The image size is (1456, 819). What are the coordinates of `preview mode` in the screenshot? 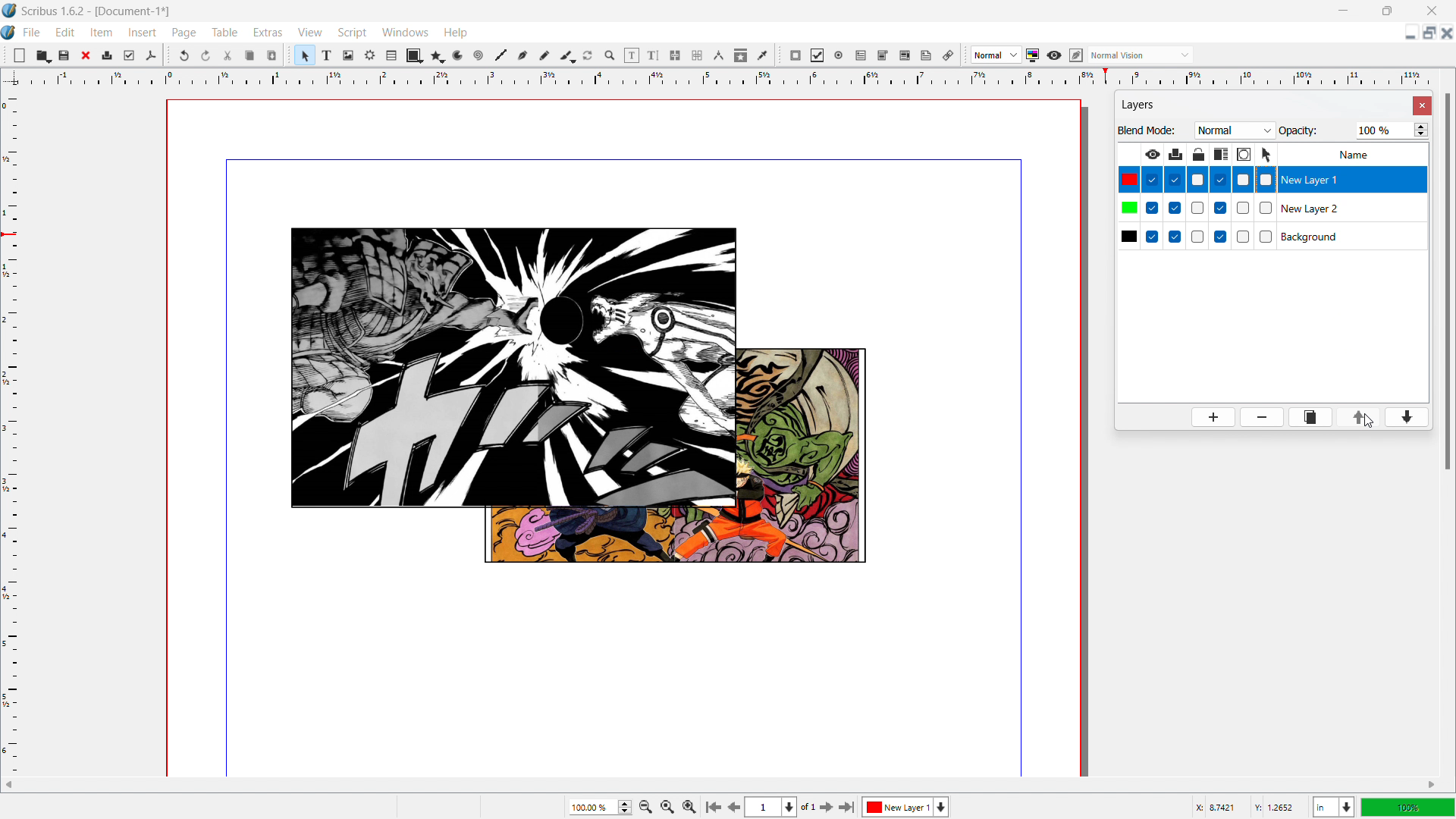 It's located at (1054, 55).